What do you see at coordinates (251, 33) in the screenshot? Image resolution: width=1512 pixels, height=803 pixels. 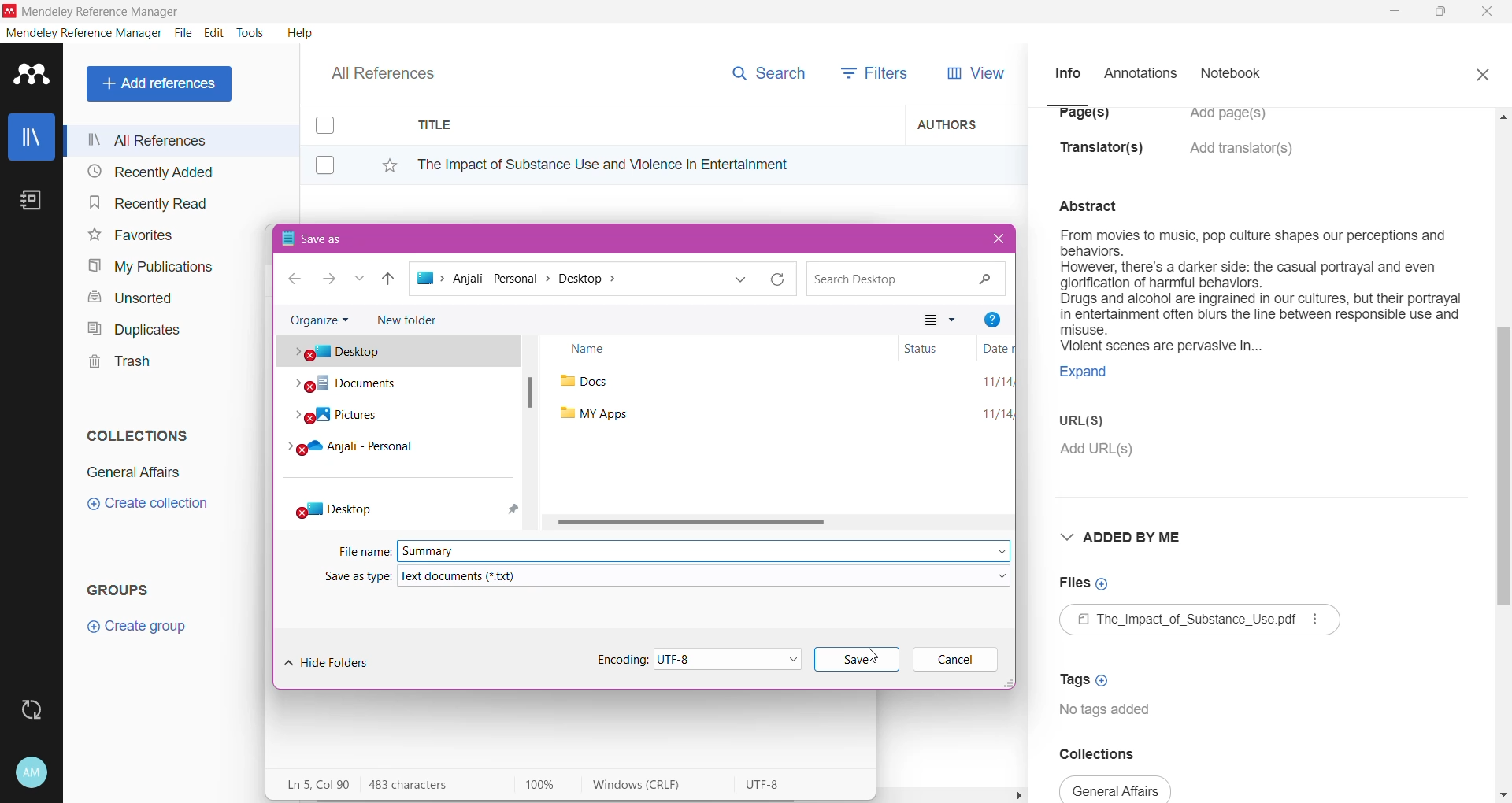 I see `Tools` at bounding box center [251, 33].